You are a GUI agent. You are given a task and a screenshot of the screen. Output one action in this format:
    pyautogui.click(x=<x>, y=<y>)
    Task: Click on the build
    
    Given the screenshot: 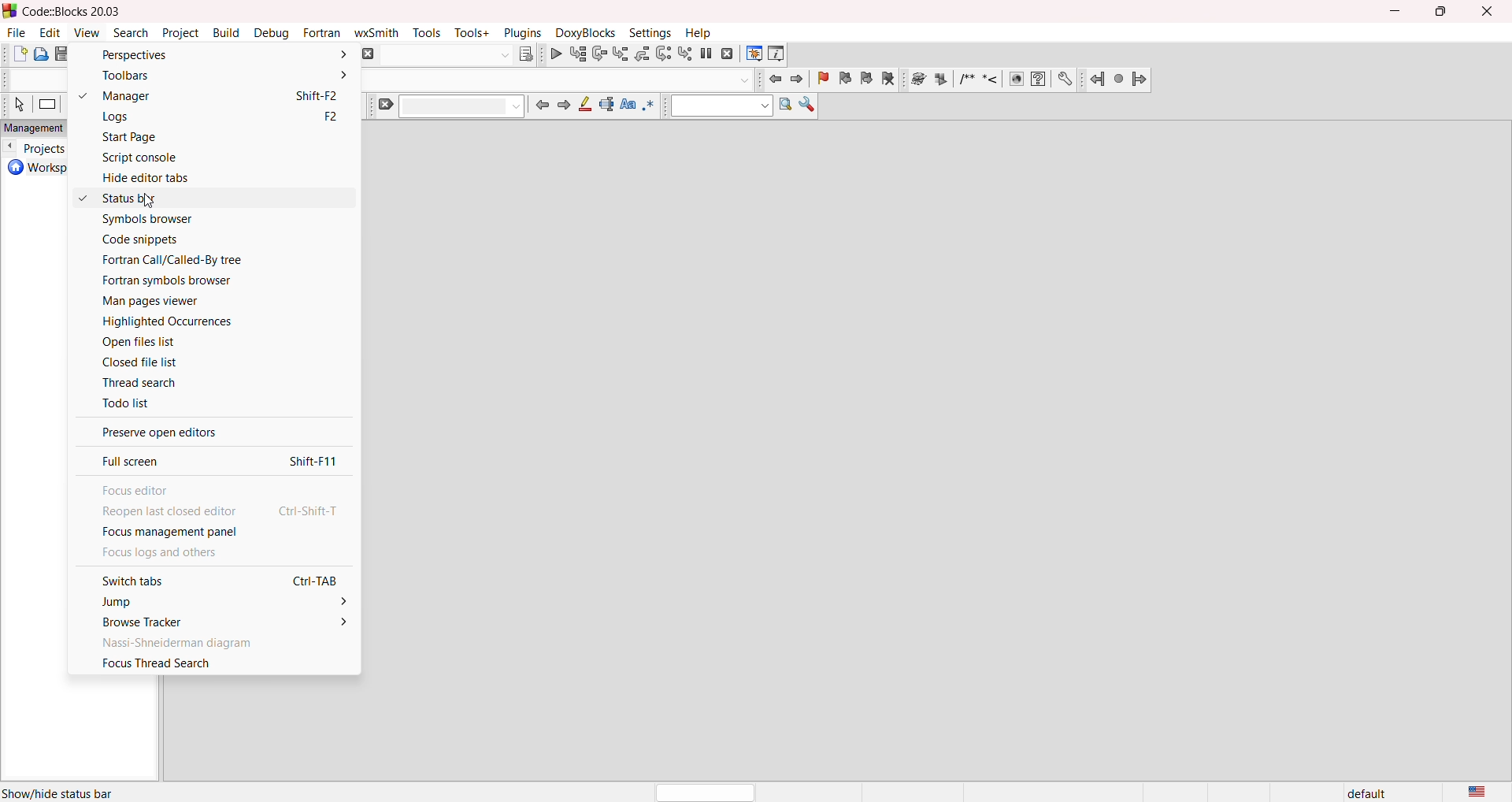 What is the action you would take?
    pyautogui.click(x=228, y=33)
    